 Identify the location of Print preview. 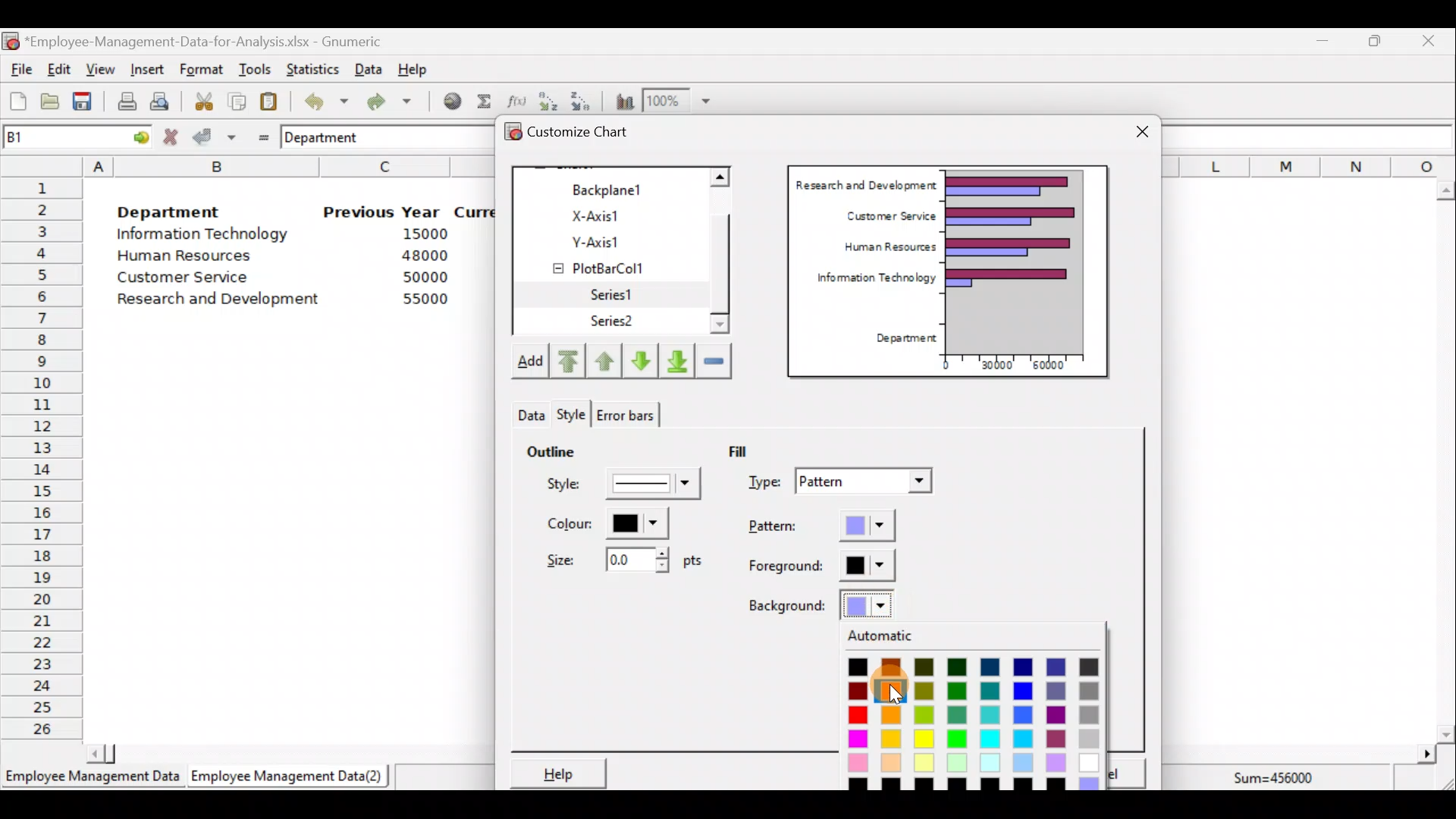
(159, 99).